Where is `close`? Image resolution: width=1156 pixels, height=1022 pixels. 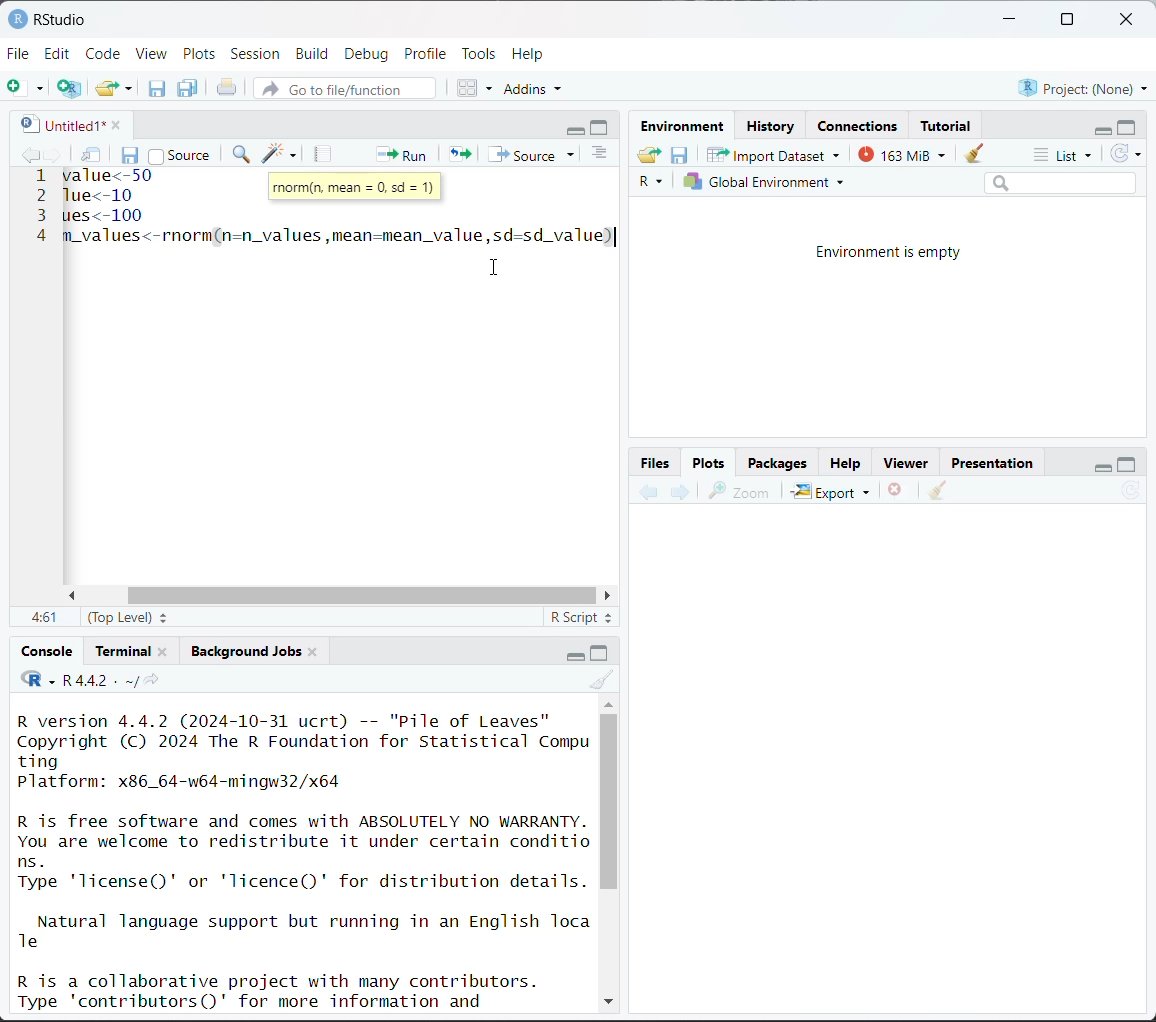
close is located at coordinates (313, 650).